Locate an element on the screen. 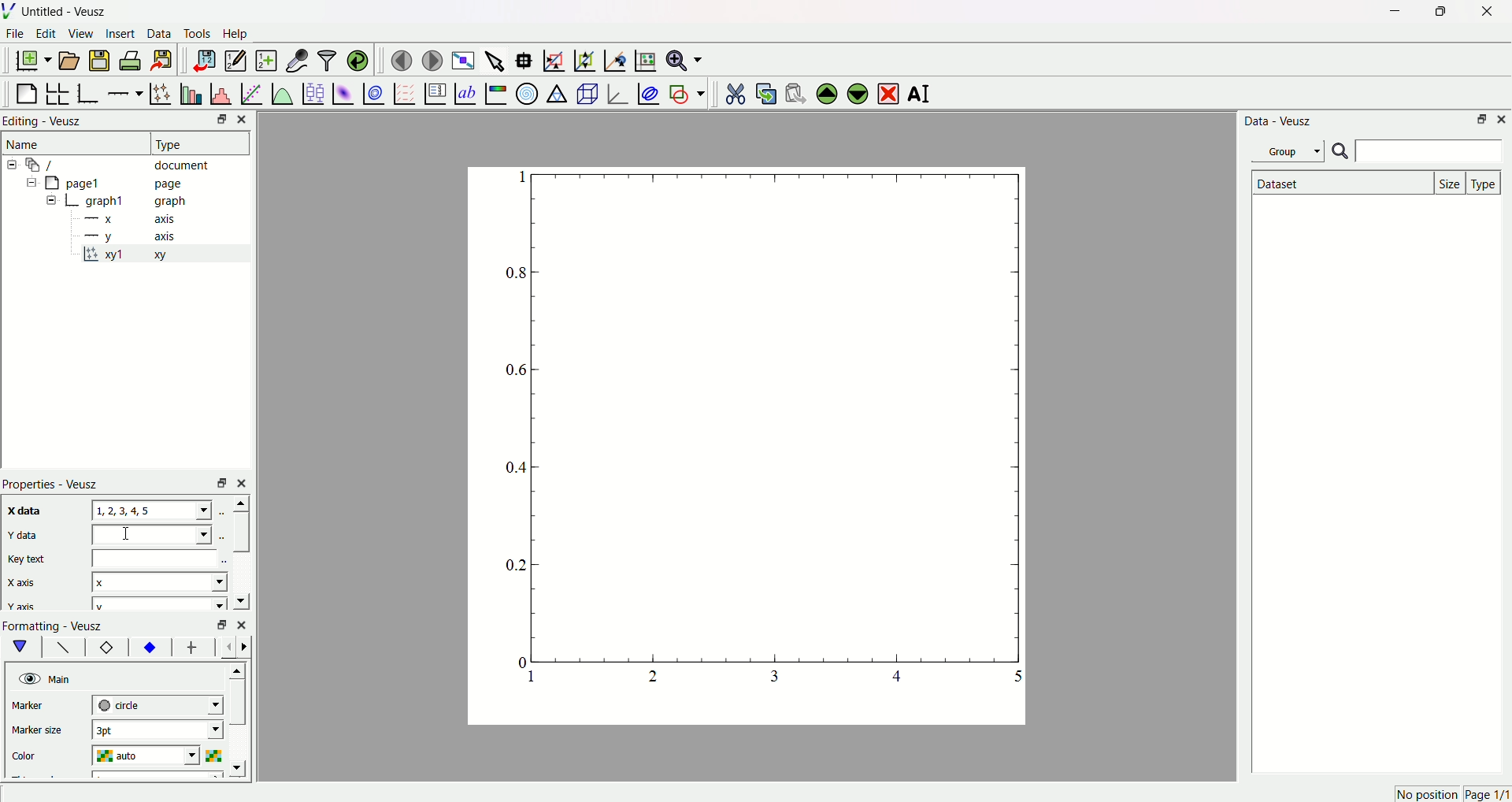 The image size is (1512, 802). pagel1 page is located at coordinates (126, 183).